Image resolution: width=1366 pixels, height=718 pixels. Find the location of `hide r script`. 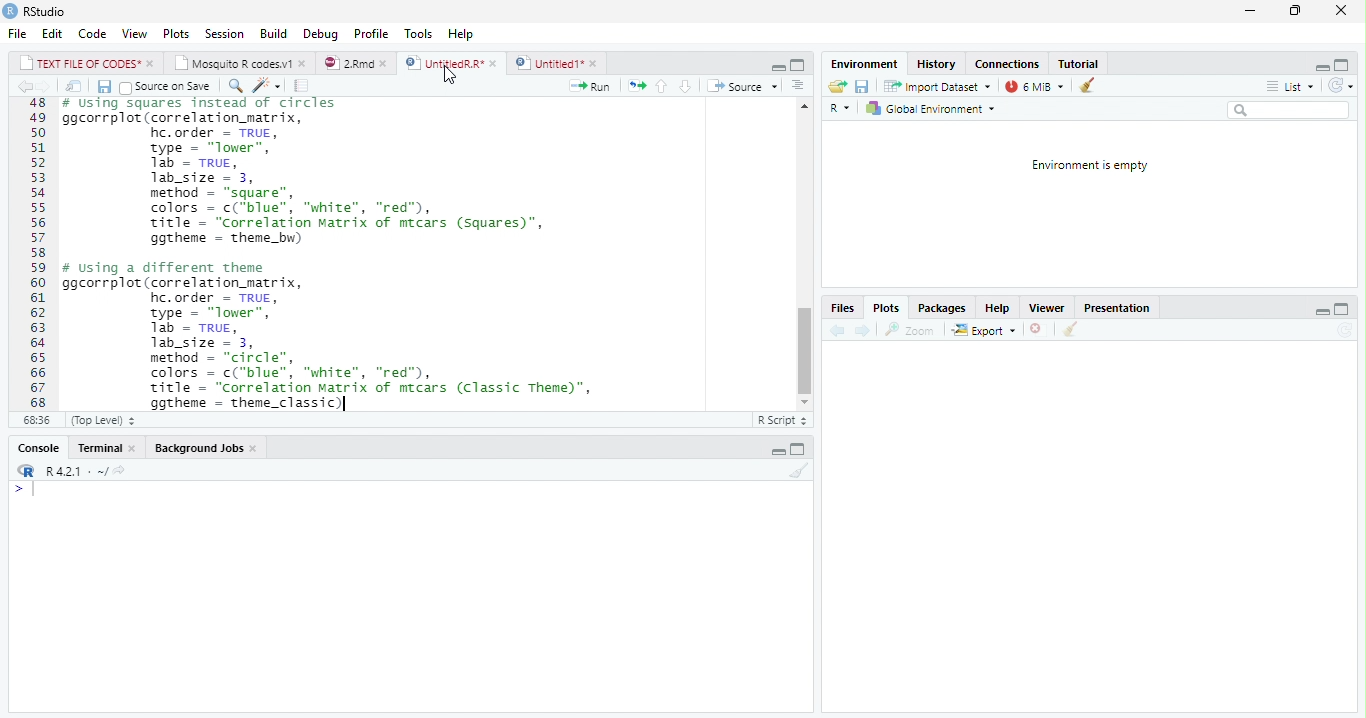

hide r script is located at coordinates (777, 450).